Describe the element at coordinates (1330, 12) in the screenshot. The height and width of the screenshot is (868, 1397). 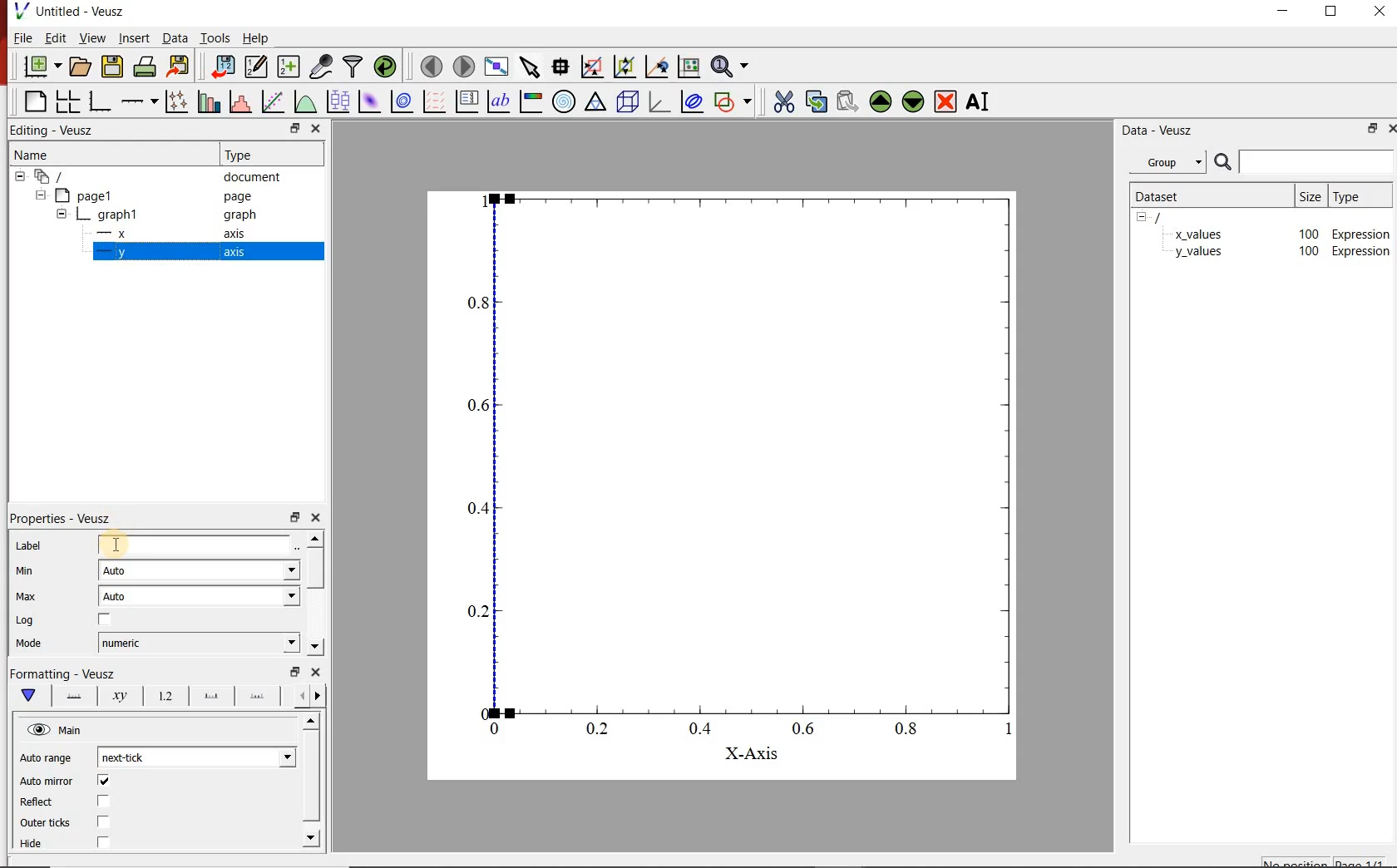
I see `restore down` at that location.